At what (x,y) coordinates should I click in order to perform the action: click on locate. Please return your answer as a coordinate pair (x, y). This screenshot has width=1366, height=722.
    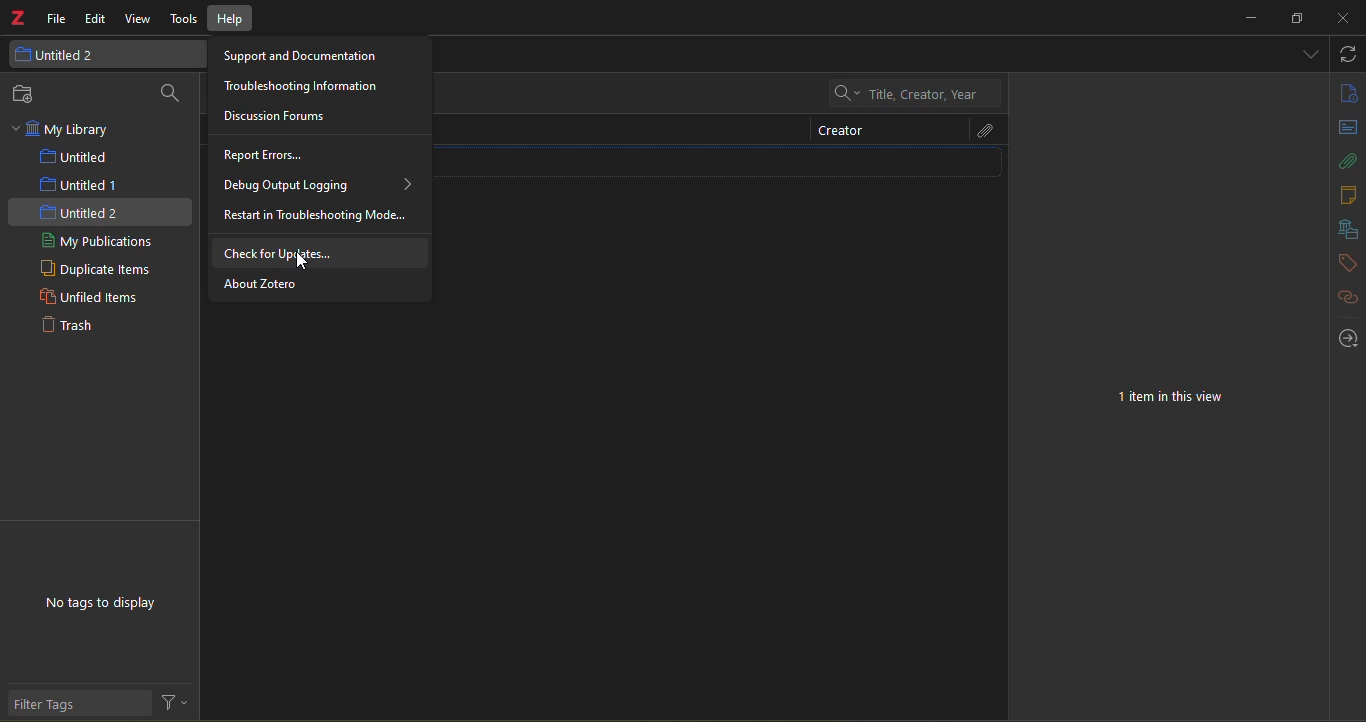
    Looking at the image, I should click on (1348, 338).